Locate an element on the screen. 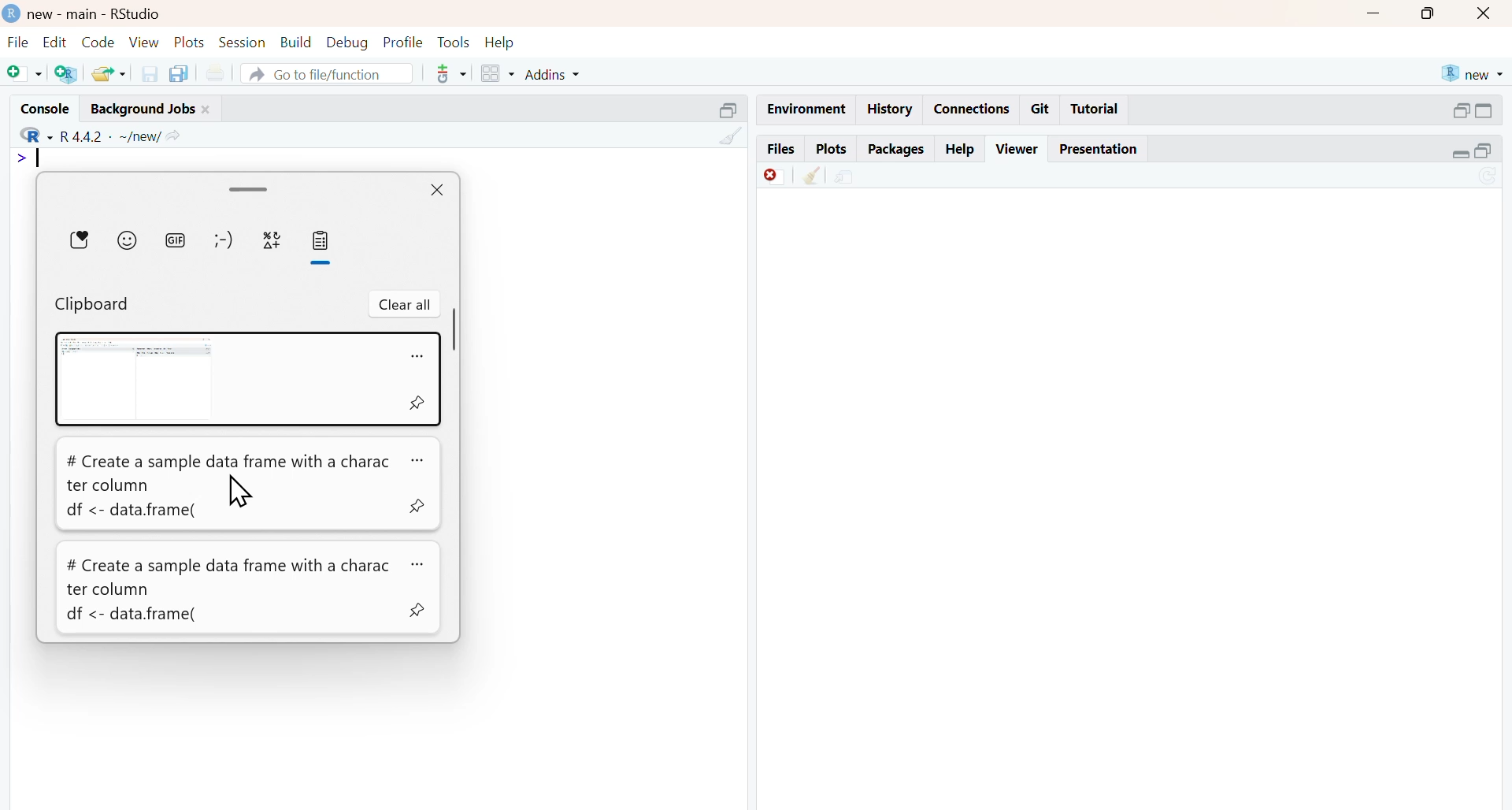 The width and height of the screenshot is (1512, 810). build is located at coordinates (297, 43).